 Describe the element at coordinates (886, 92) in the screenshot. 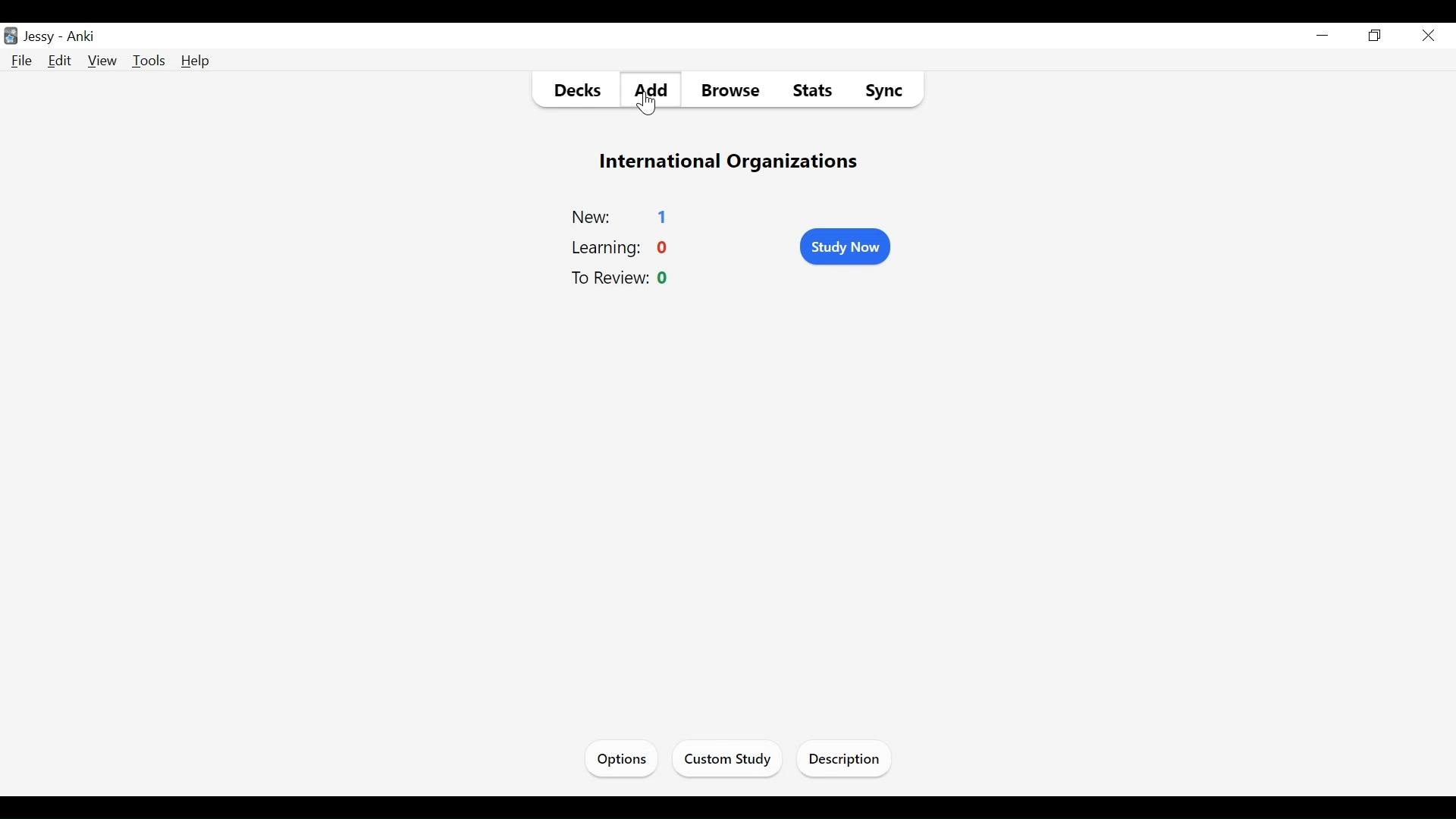

I see `sync` at that location.